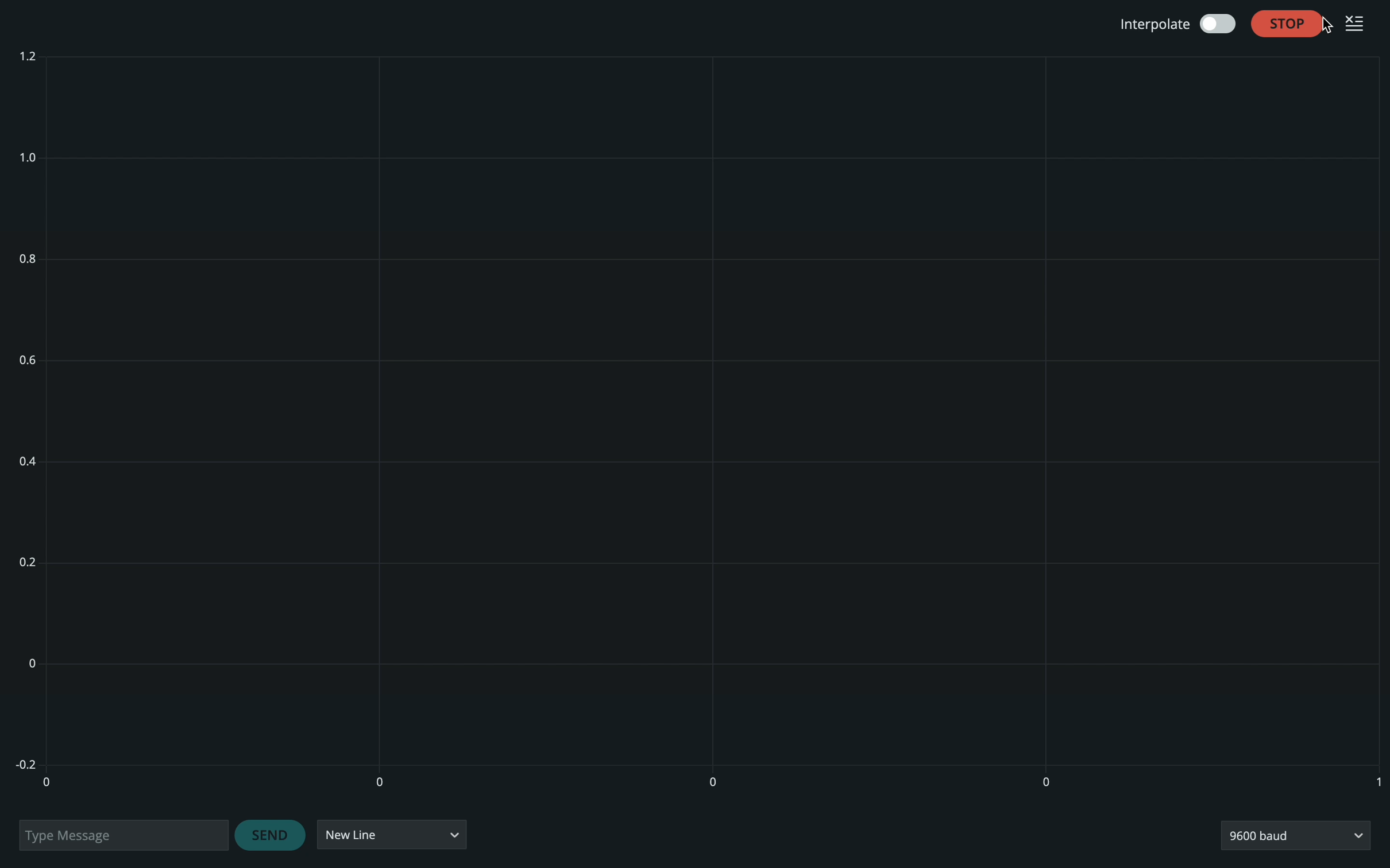  What do you see at coordinates (1295, 835) in the screenshot?
I see `9600 baud` at bounding box center [1295, 835].